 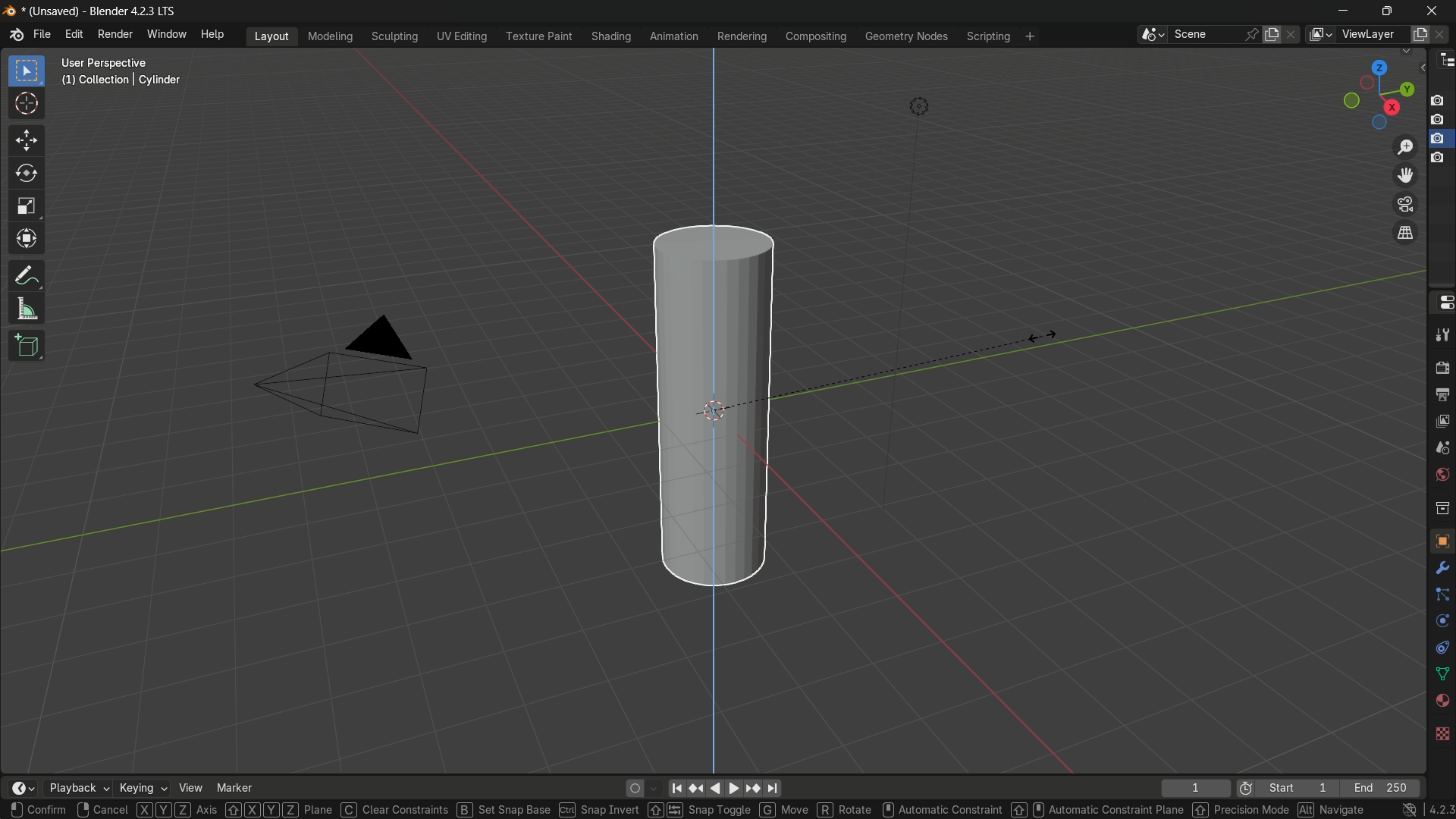 I want to click on remove view layer, so click(x=1443, y=35).